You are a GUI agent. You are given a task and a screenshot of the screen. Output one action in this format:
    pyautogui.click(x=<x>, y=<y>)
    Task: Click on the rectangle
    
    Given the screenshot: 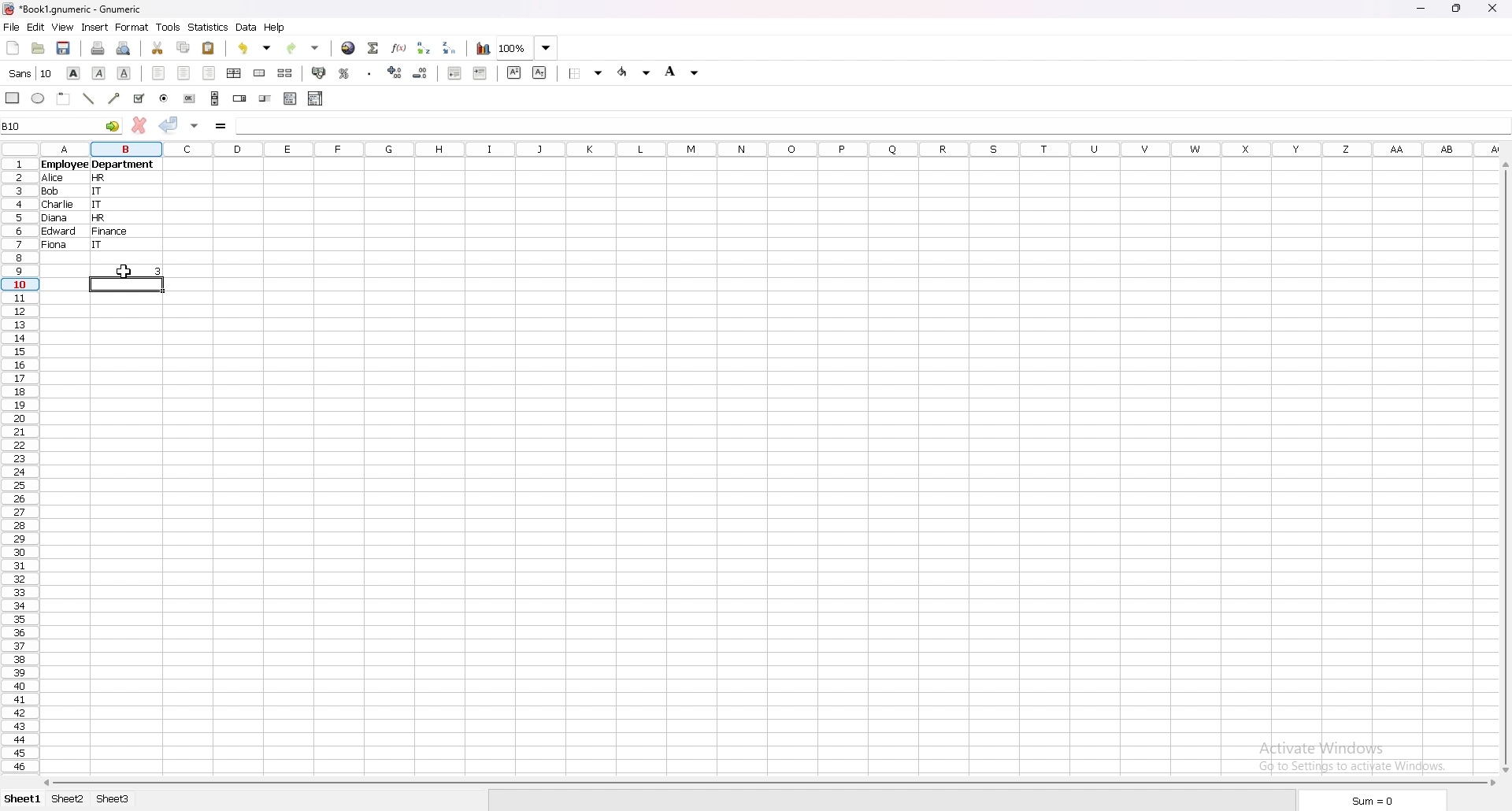 What is the action you would take?
    pyautogui.click(x=13, y=97)
    